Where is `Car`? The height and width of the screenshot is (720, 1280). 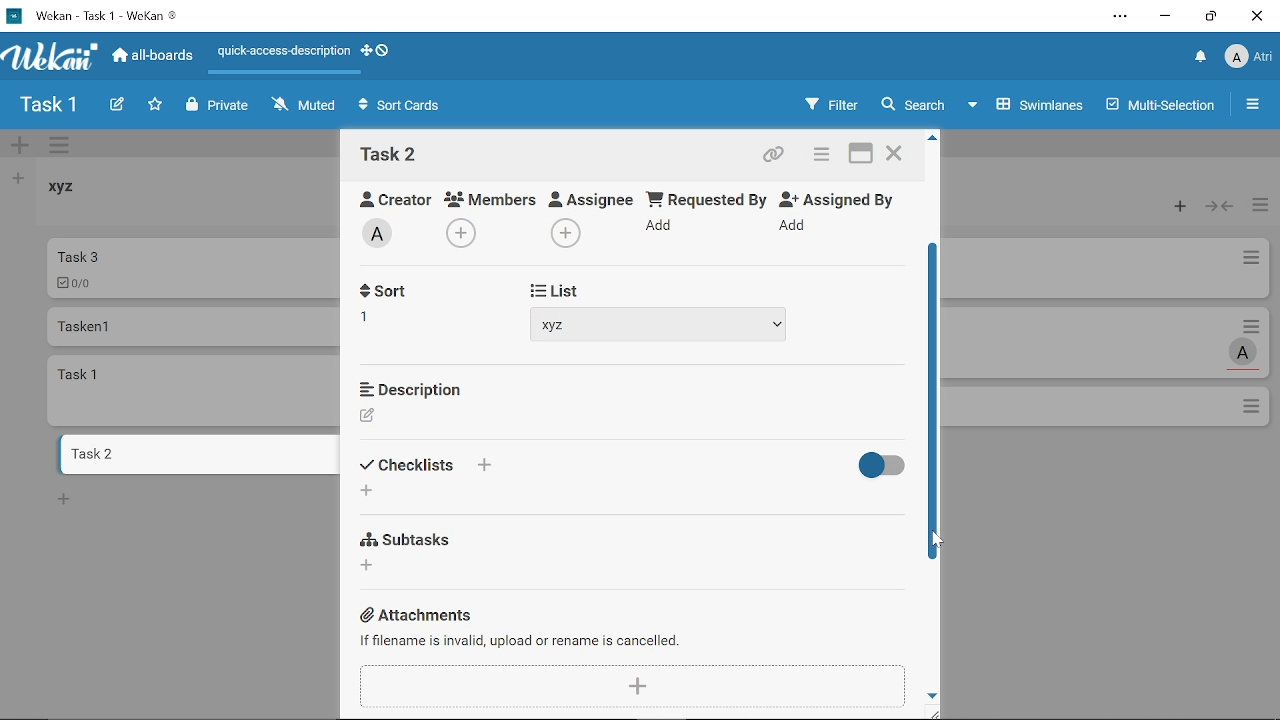
Car is located at coordinates (192, 267).